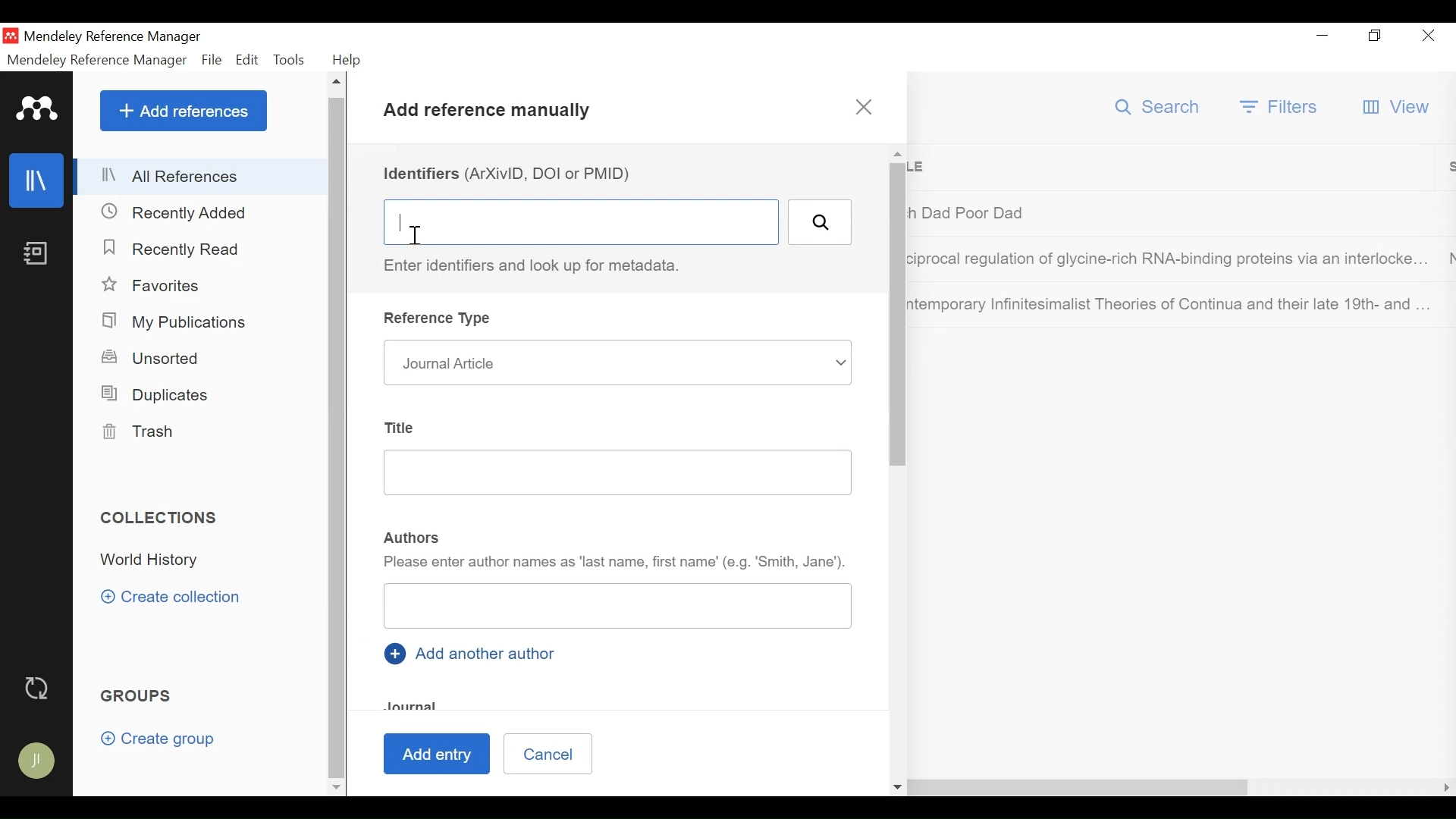 The height and width of the screenshot is (819, 1456). What do you see at coordinates (512, 173) in the screenshot?
I see `Identifiers (ArXivID, DOI or PMID)` at bounding box center [512, 173].